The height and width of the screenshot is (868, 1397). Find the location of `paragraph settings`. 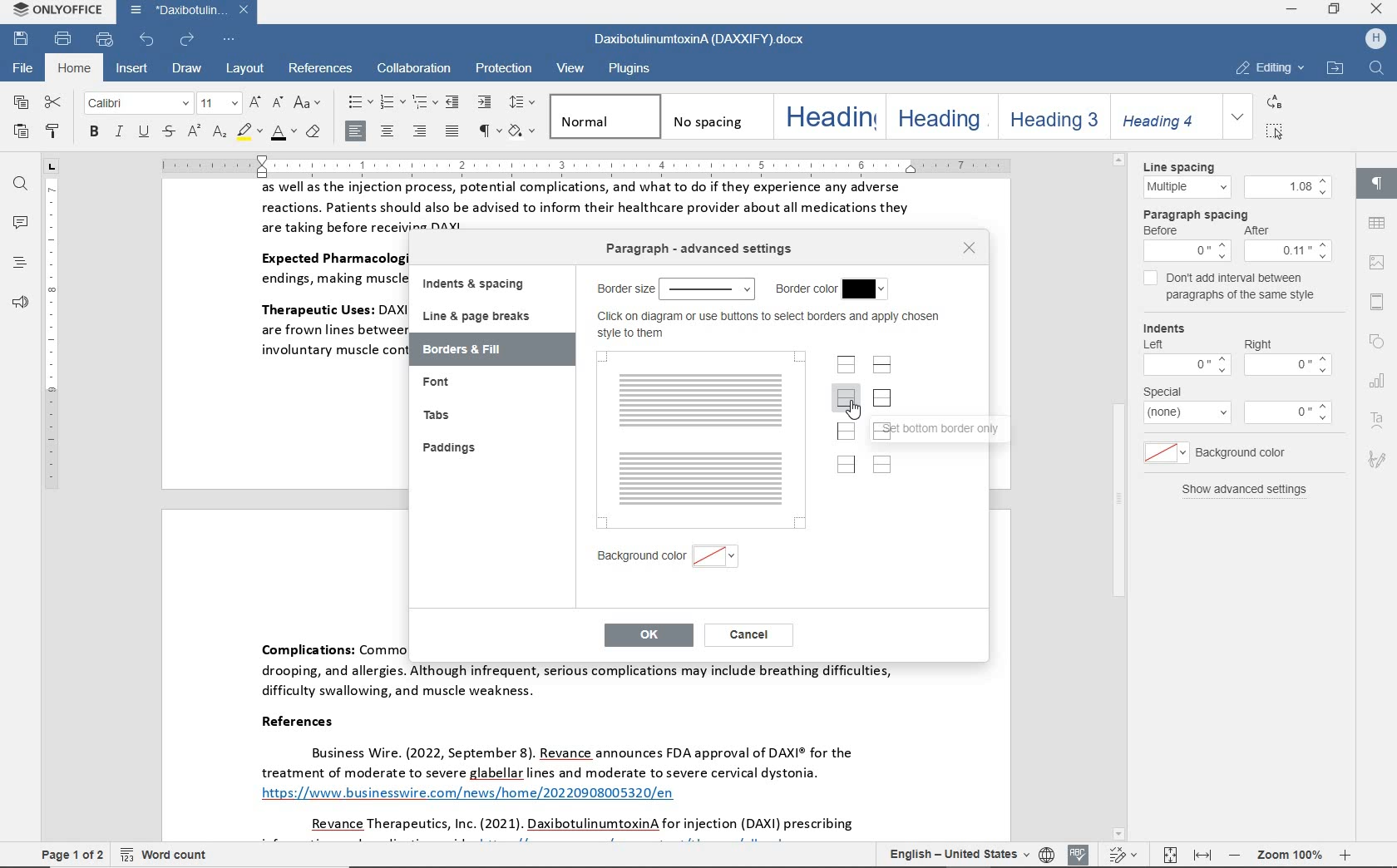

paragraph settings is located at coordinates (1375, 180).